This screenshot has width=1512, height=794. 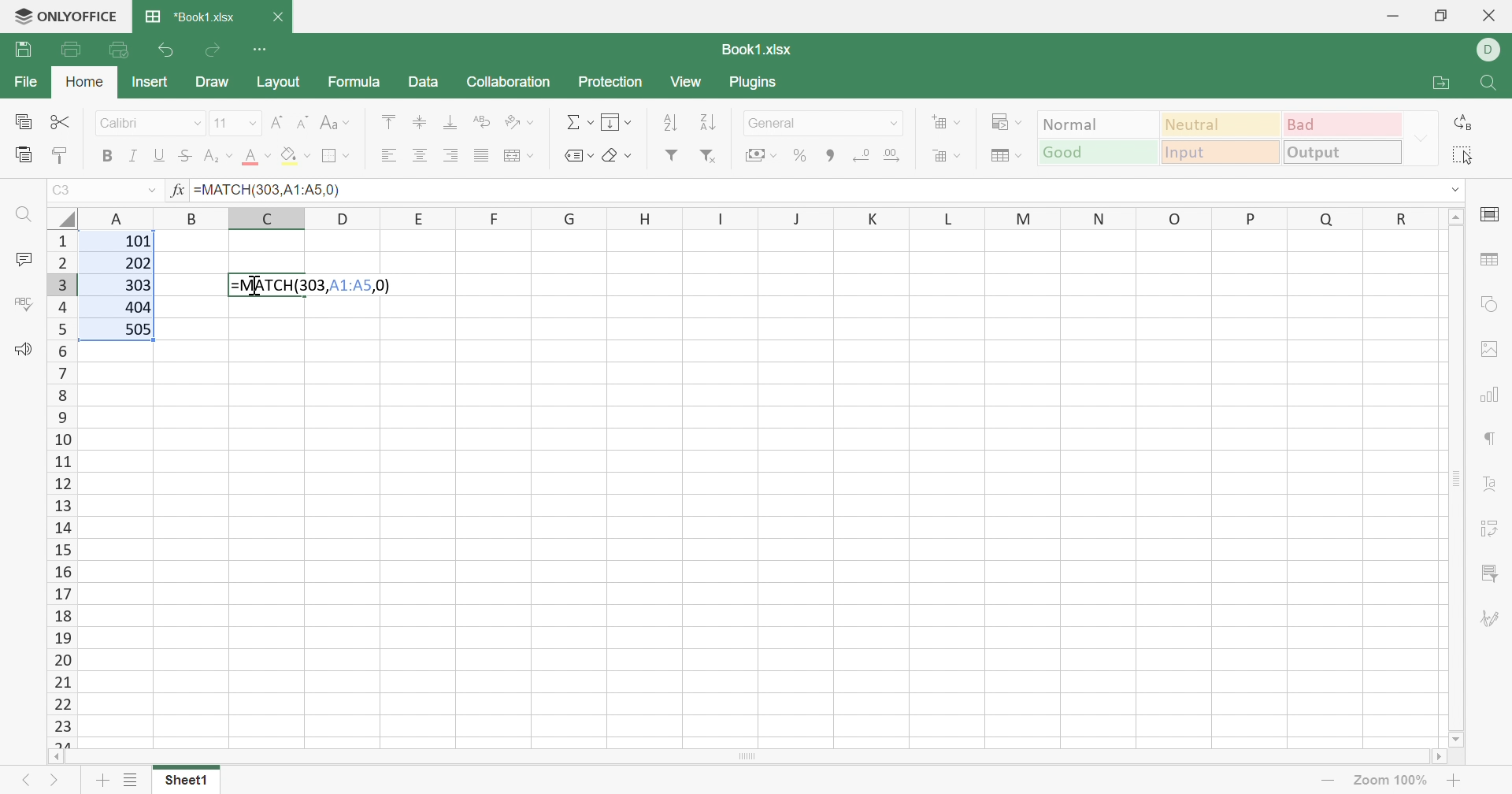 What do you see at coordinates (1007, 160) in the screenshot?
I see `Format table as template` at bounding box center [1007, 160].